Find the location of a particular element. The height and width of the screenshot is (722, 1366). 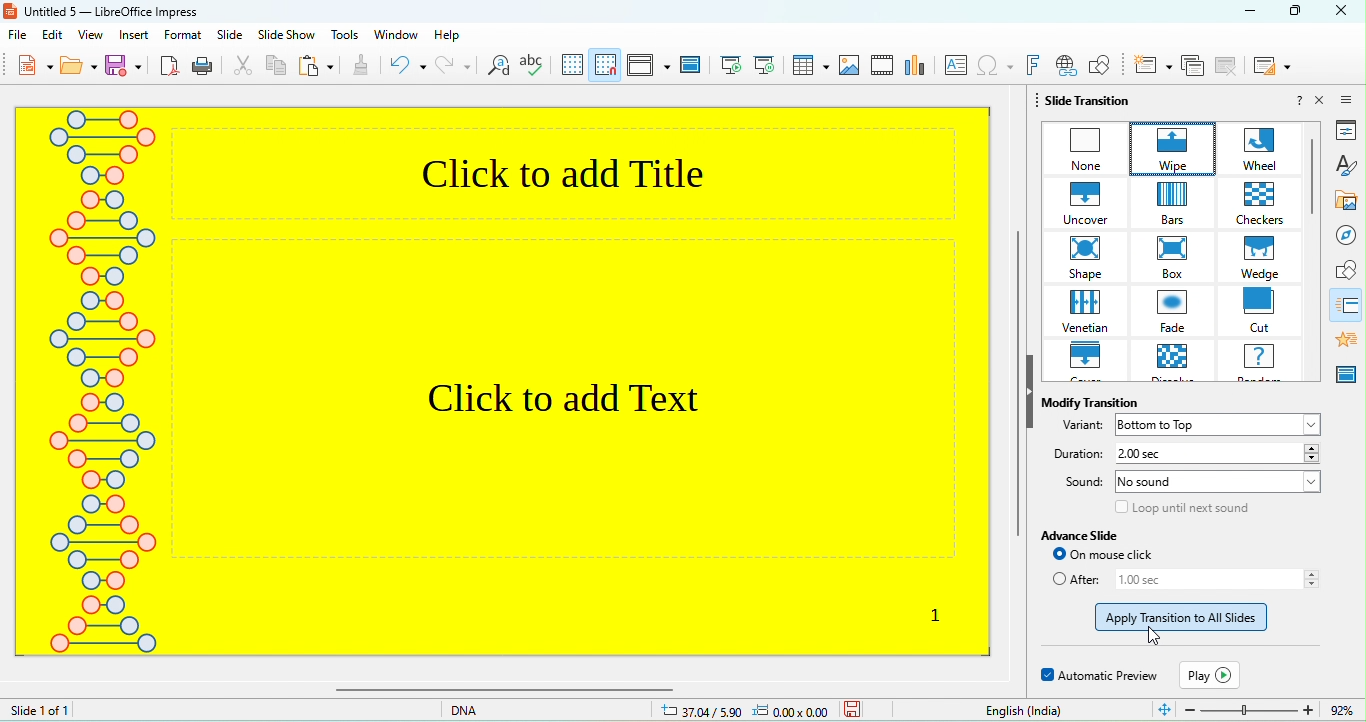

advanced slide is located at coordinates (1092, 537).